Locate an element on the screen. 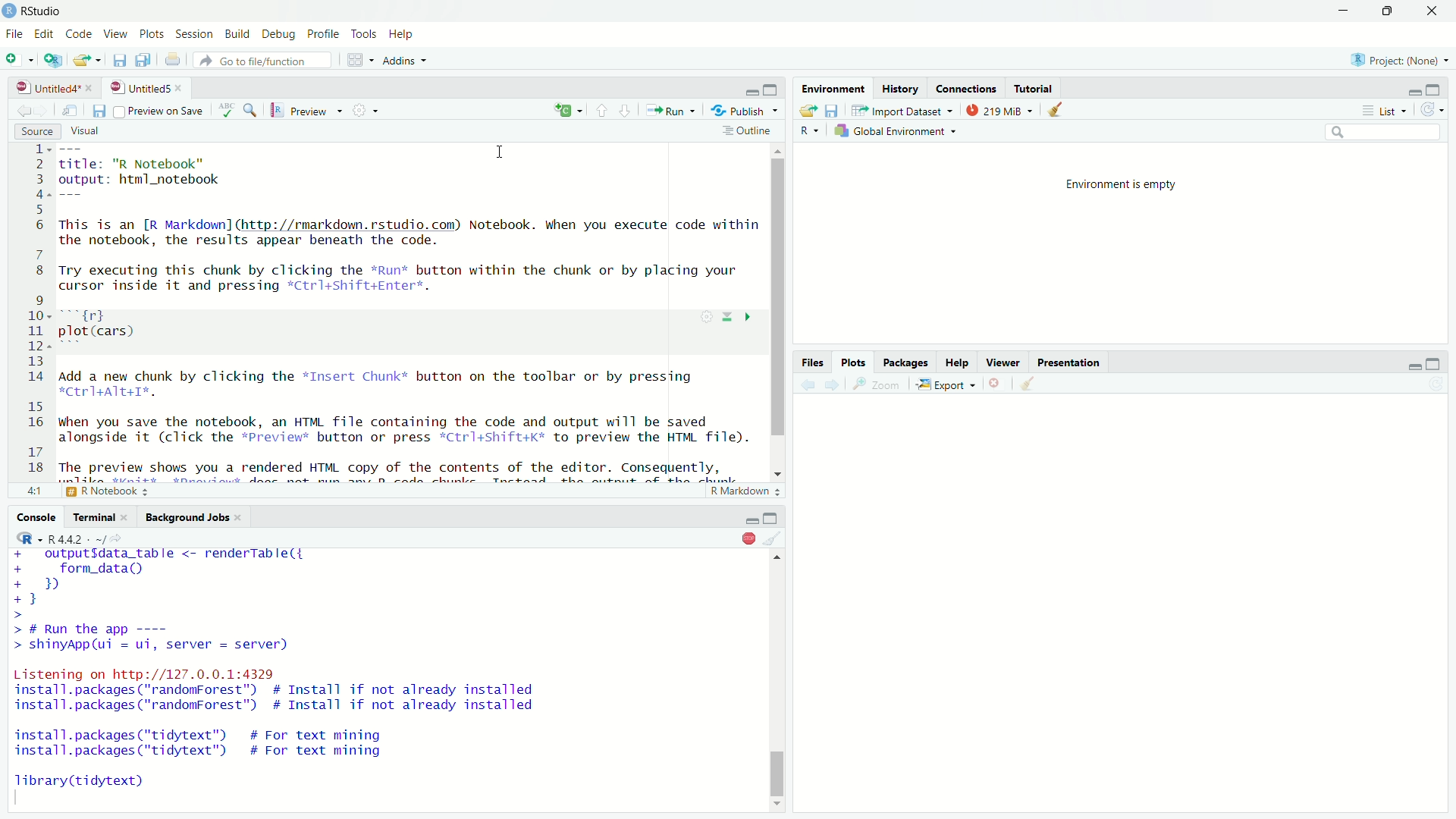 The height and width of the screenshot is (819, 1456). Code is located at coordinates (79, 34).